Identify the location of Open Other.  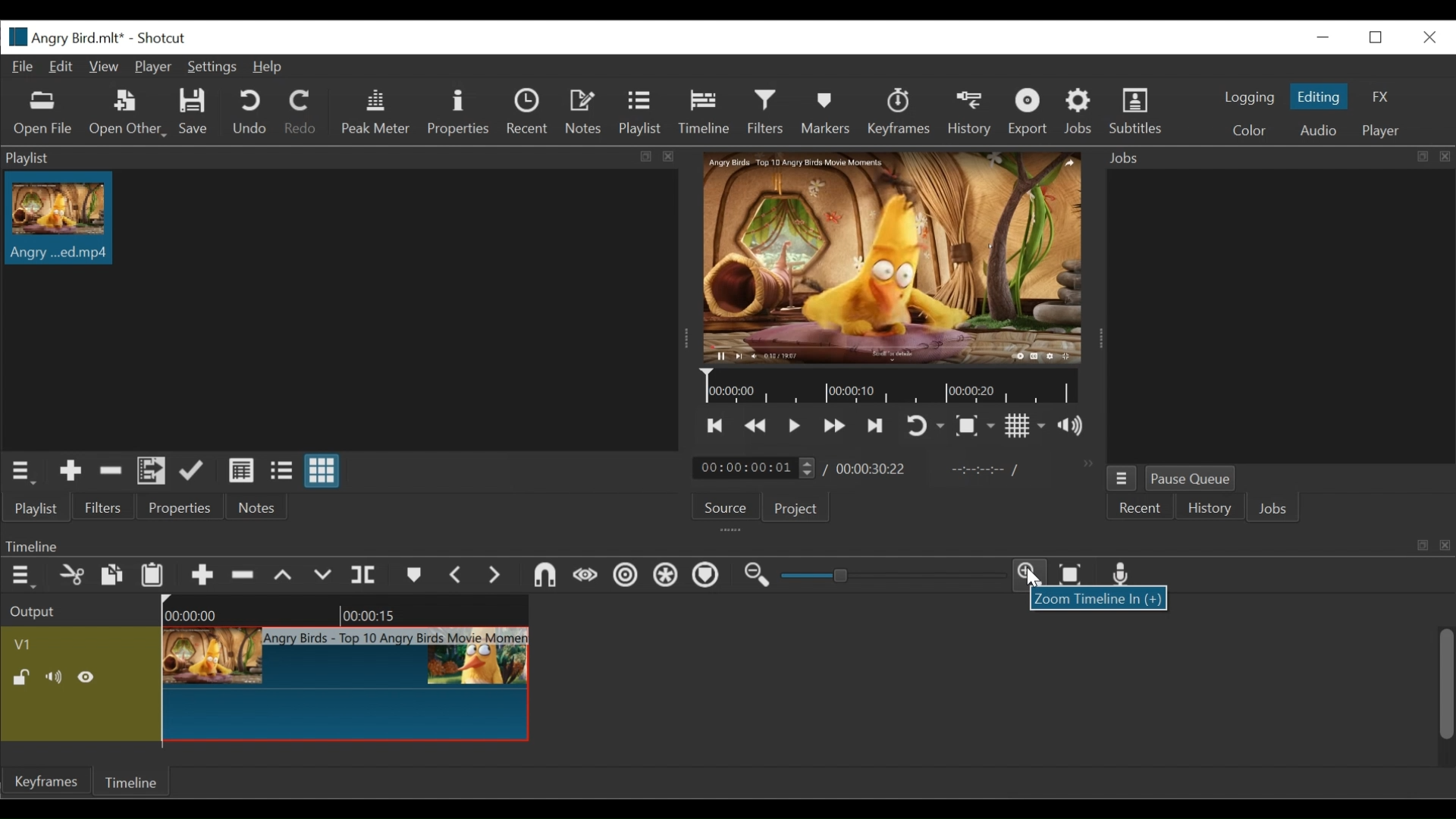
(129, 113).